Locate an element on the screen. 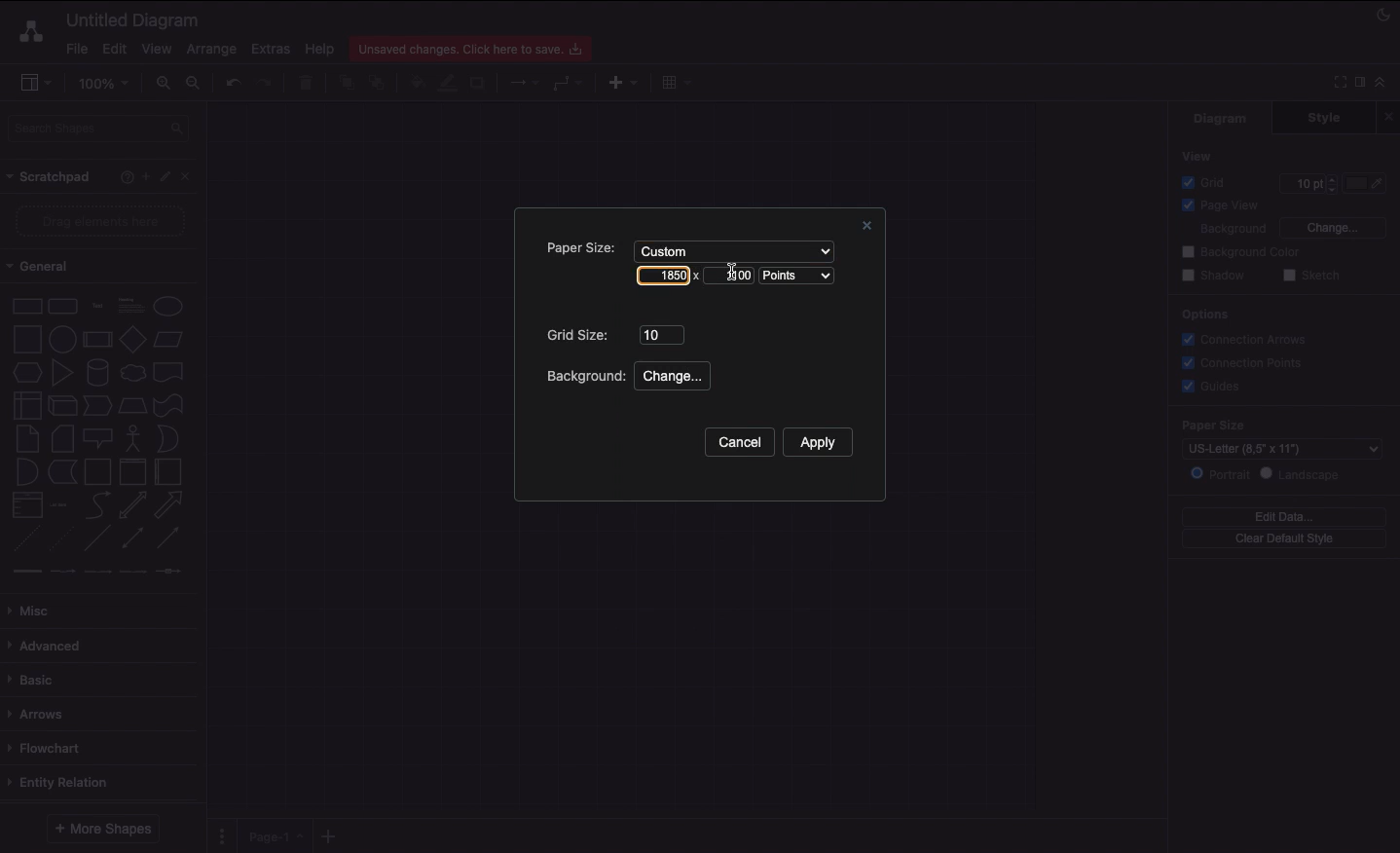 This screenshot has height=853, width=1400. Horizontal container is located at coordinates (169, 471).